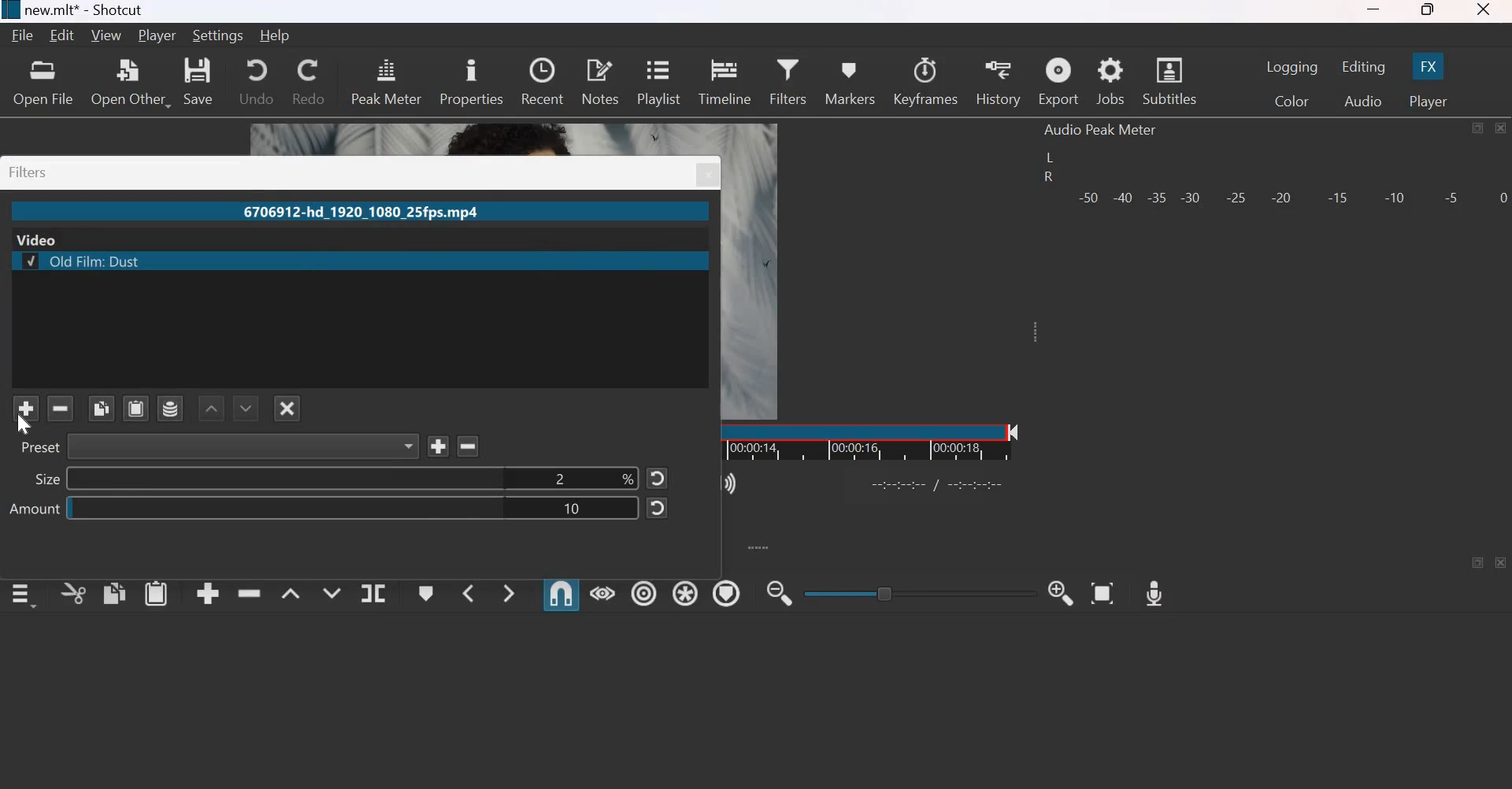  Describe the element at coordinates (940, 487) in the screenshot. I see `in point` at that location.